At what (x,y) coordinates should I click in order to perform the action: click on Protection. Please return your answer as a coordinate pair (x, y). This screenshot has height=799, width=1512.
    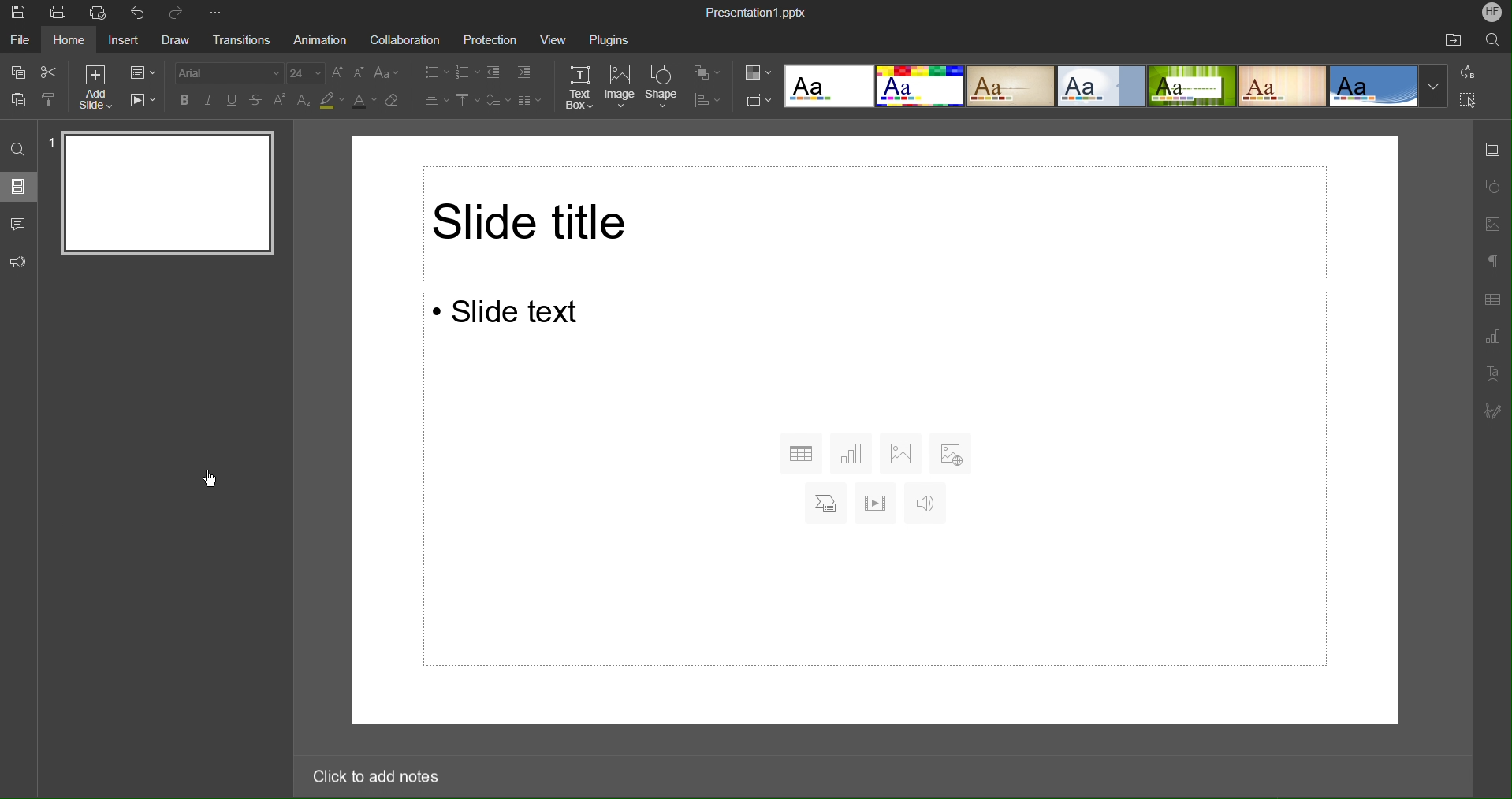
    Looking at the image, I should click on (490, 39).